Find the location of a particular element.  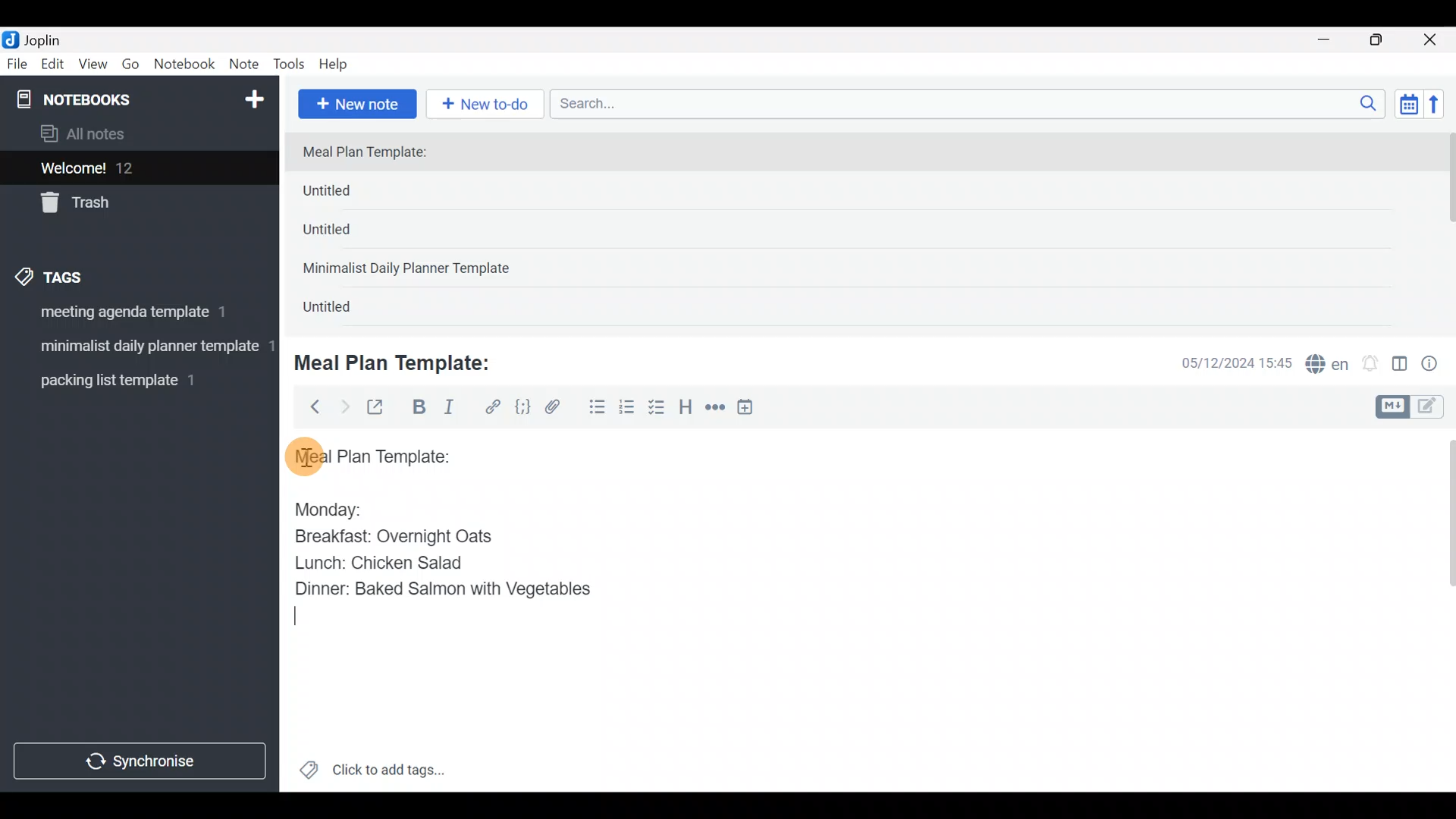

Notebook is located at coordinates (185, 64).